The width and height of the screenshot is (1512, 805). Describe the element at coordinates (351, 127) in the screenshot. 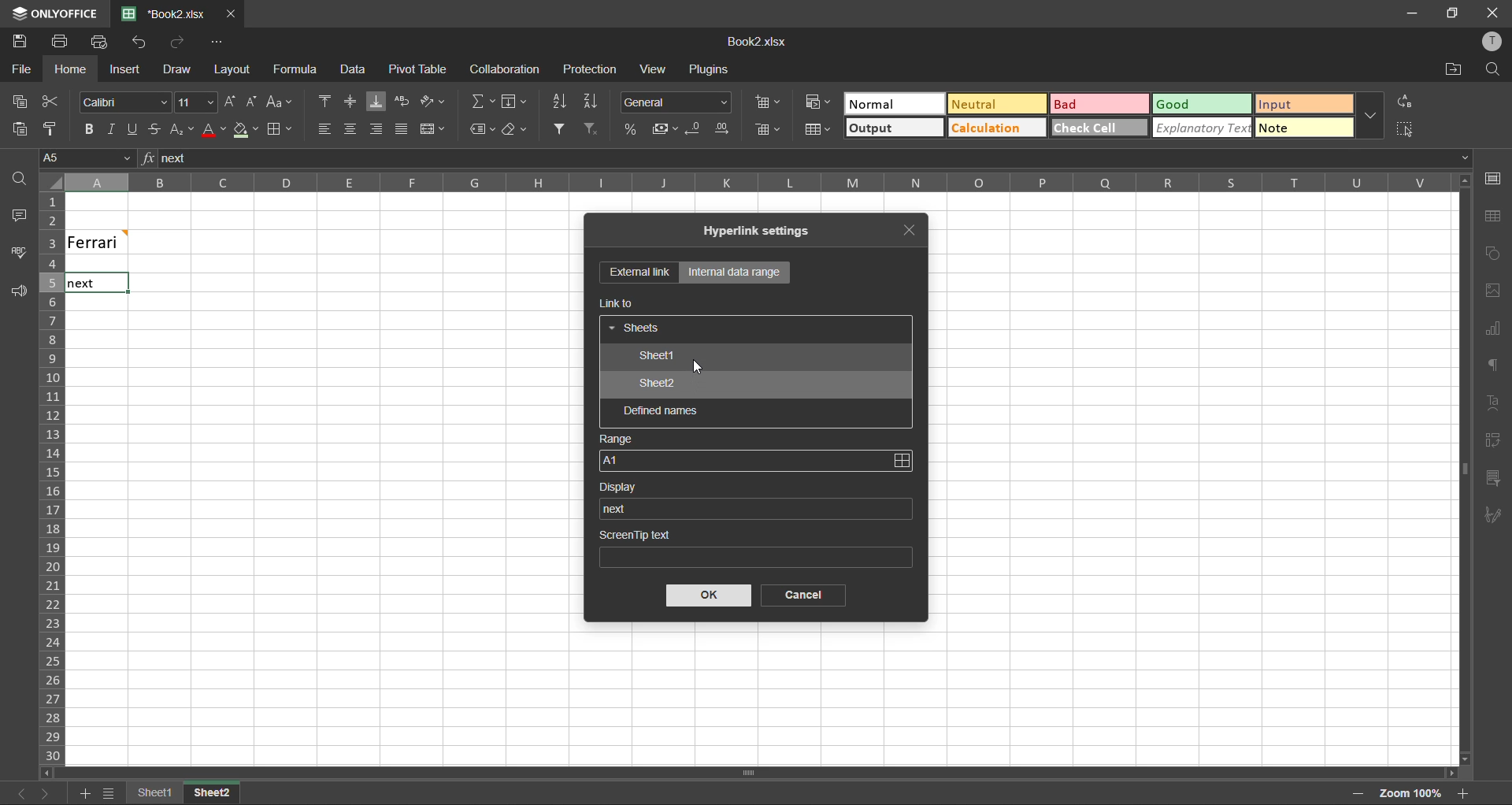

I see `align center` at that location.